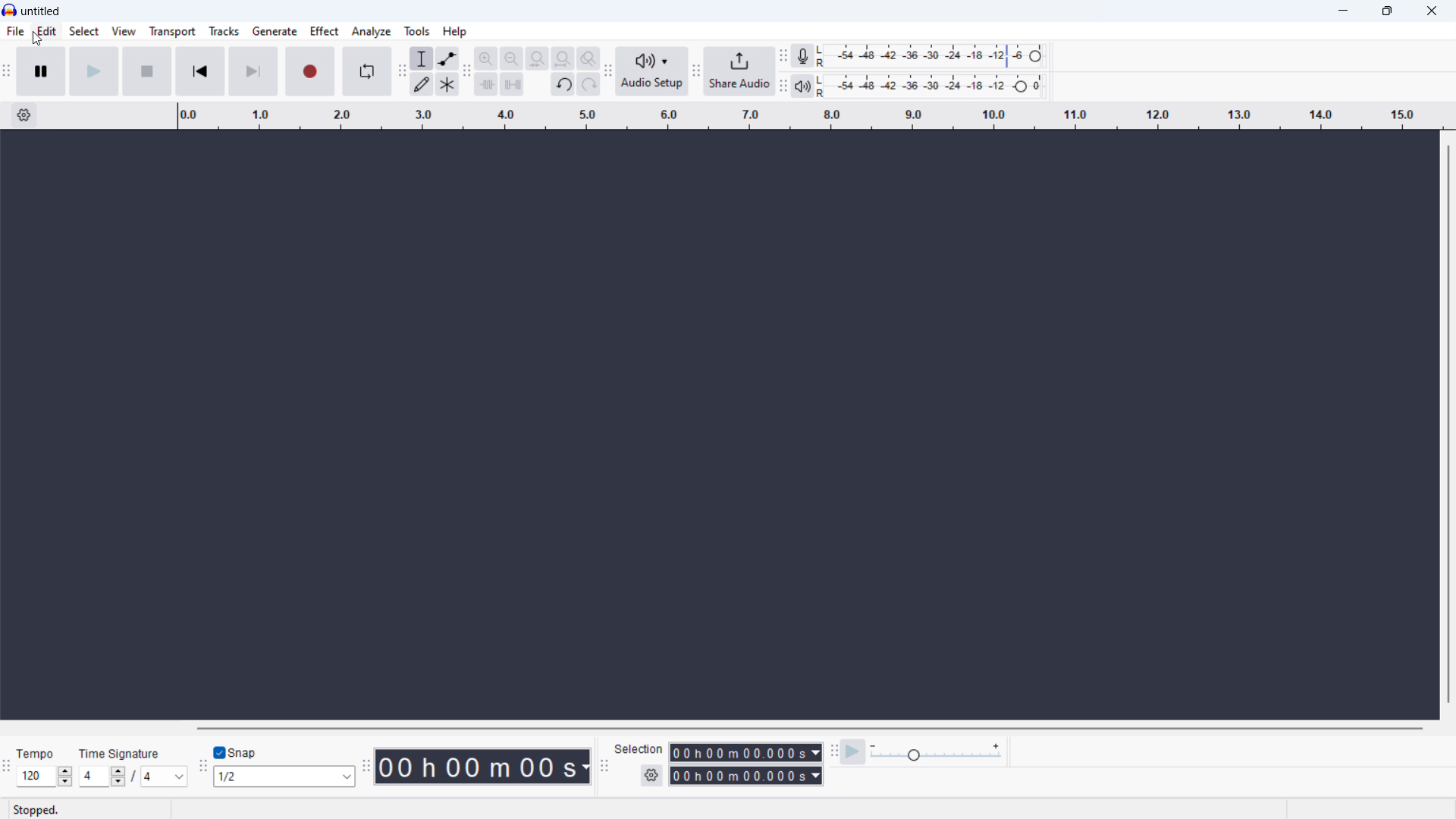 This screenshot has height=819, width=1456. What do you see at coordinates (563, 85) in the screenshot?
I see `undo` at bounding box center [563, 85].